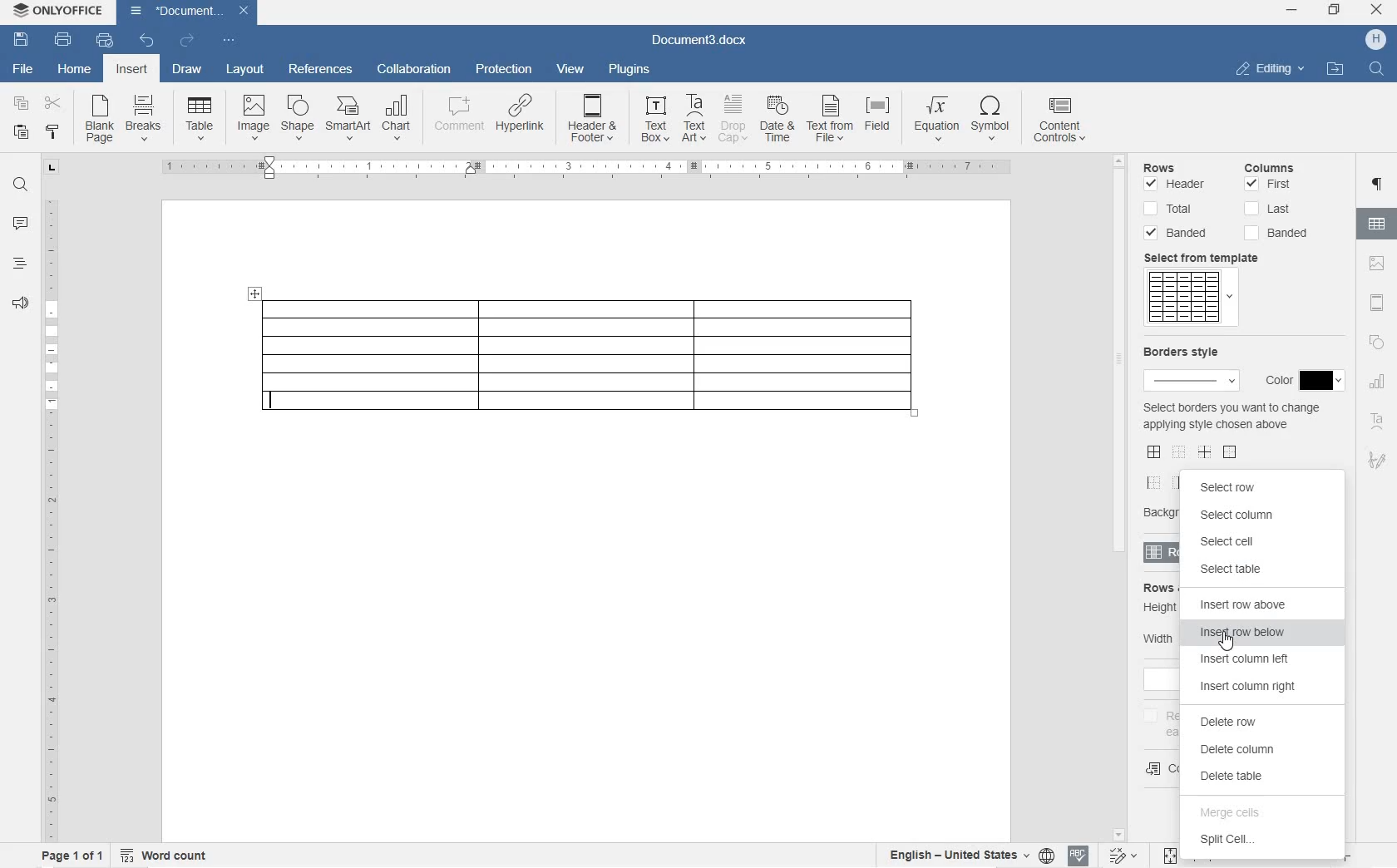  What do you see at coordinates (1242, 840) in the screenshot?
I see `split cell` at bounding box center [1242, 840].